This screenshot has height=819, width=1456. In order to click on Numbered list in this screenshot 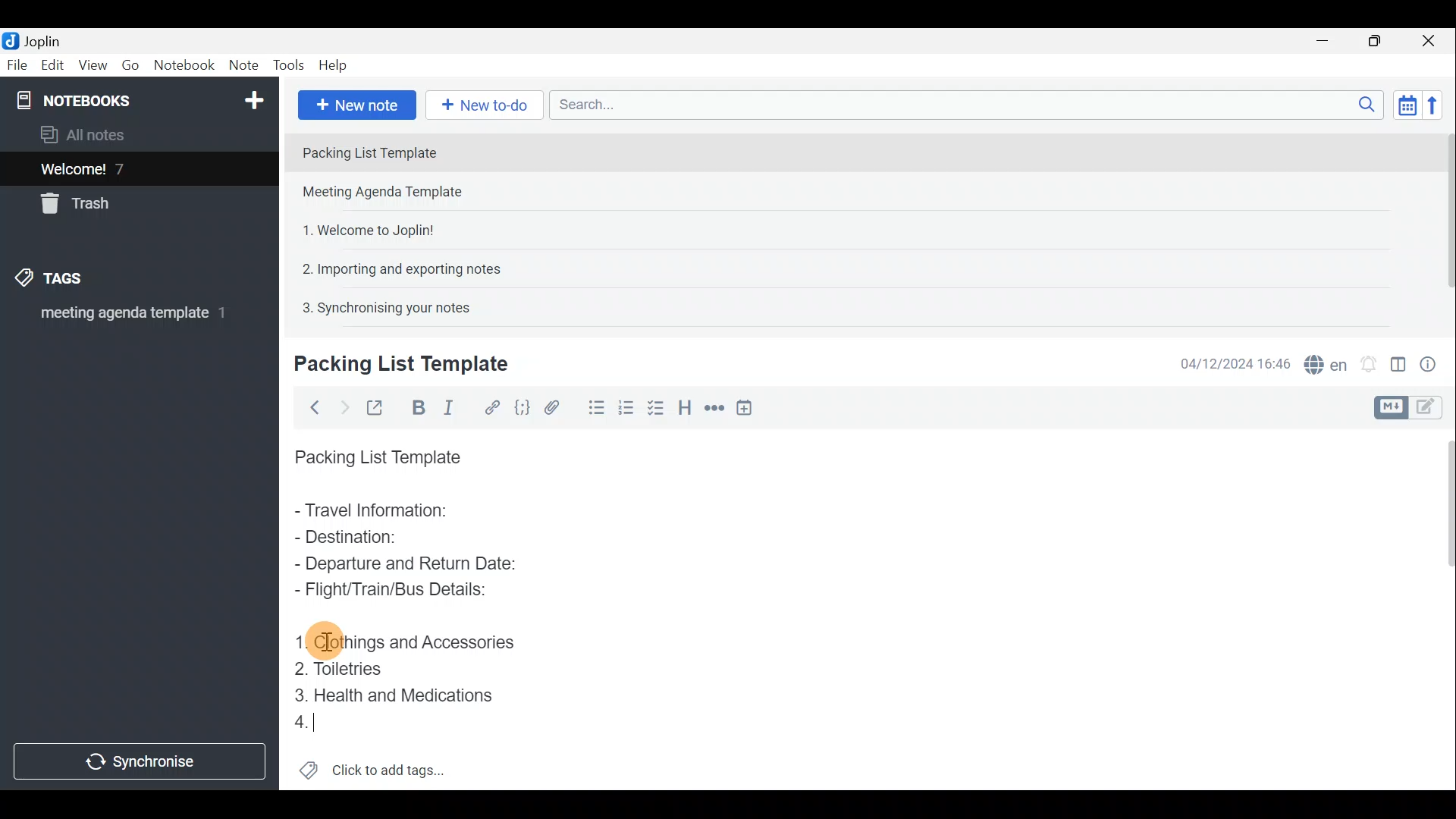, I will do `click(657, 407)`.